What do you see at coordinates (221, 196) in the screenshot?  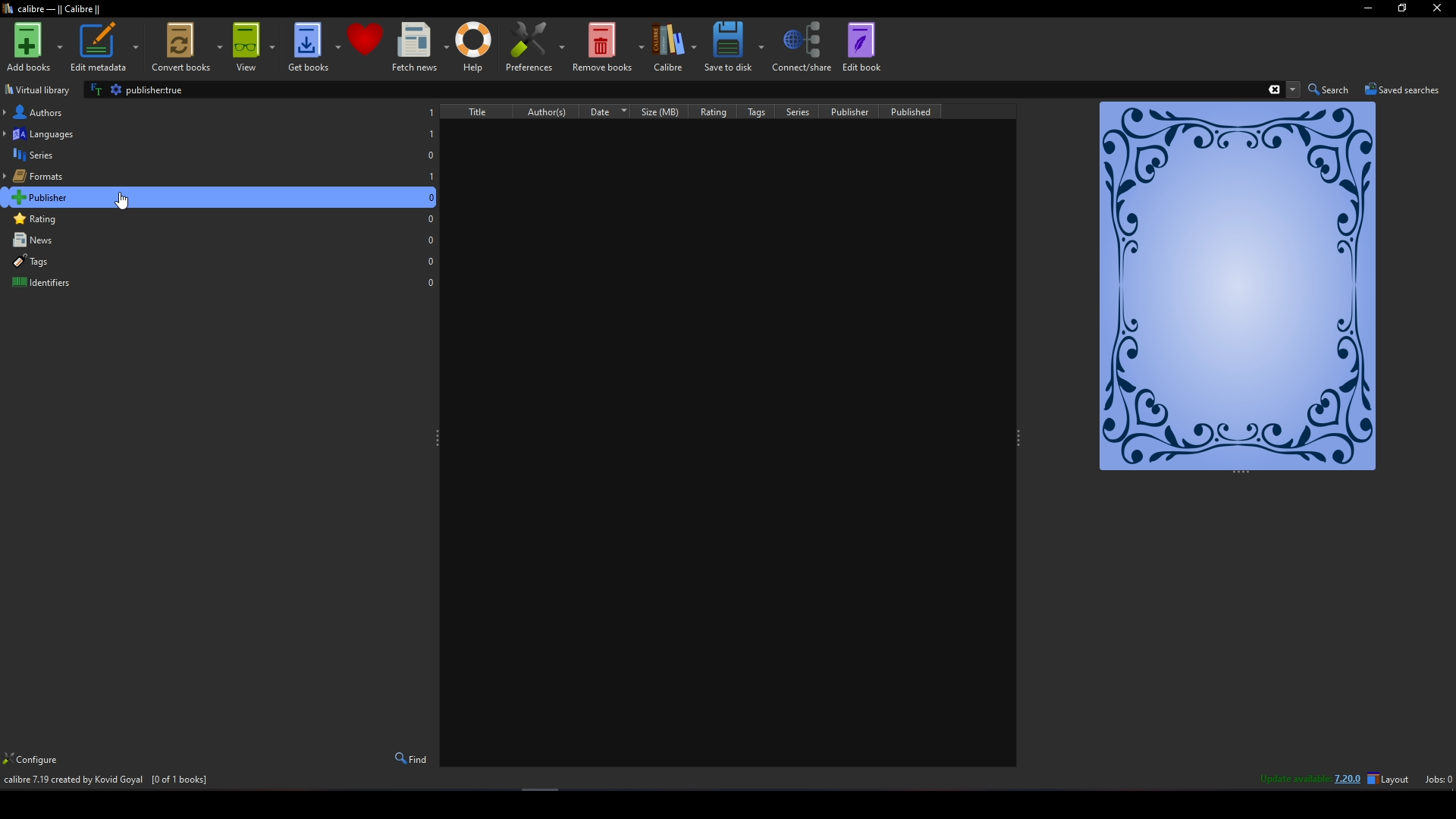 I see `Publisher` at bounding box center [221, 196].